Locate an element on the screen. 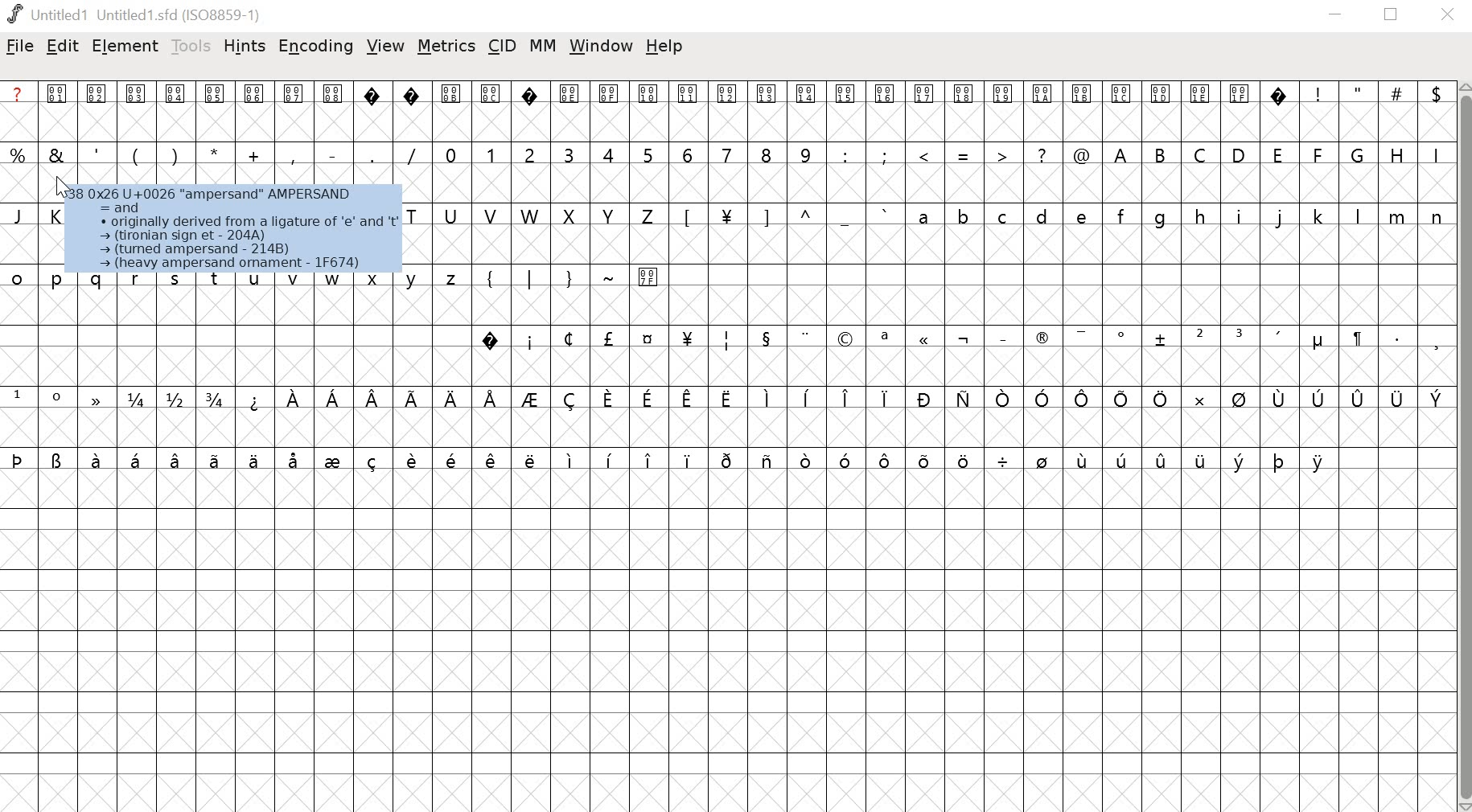 This screenshot has width=1472, height=812. 0016 is located at coordinates (886, 110).